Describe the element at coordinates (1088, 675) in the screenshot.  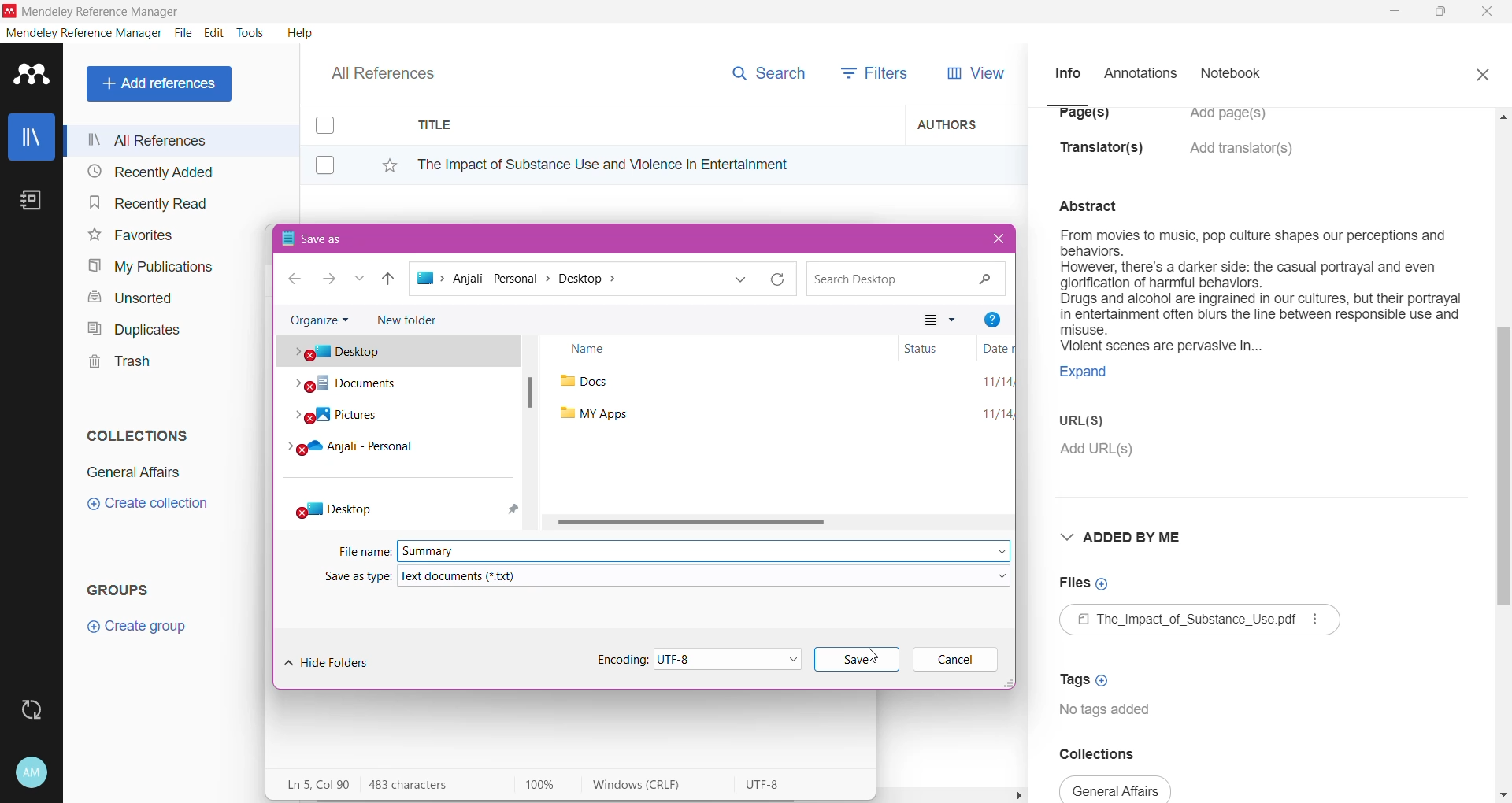
I see `Click to Add Tags` at that location.